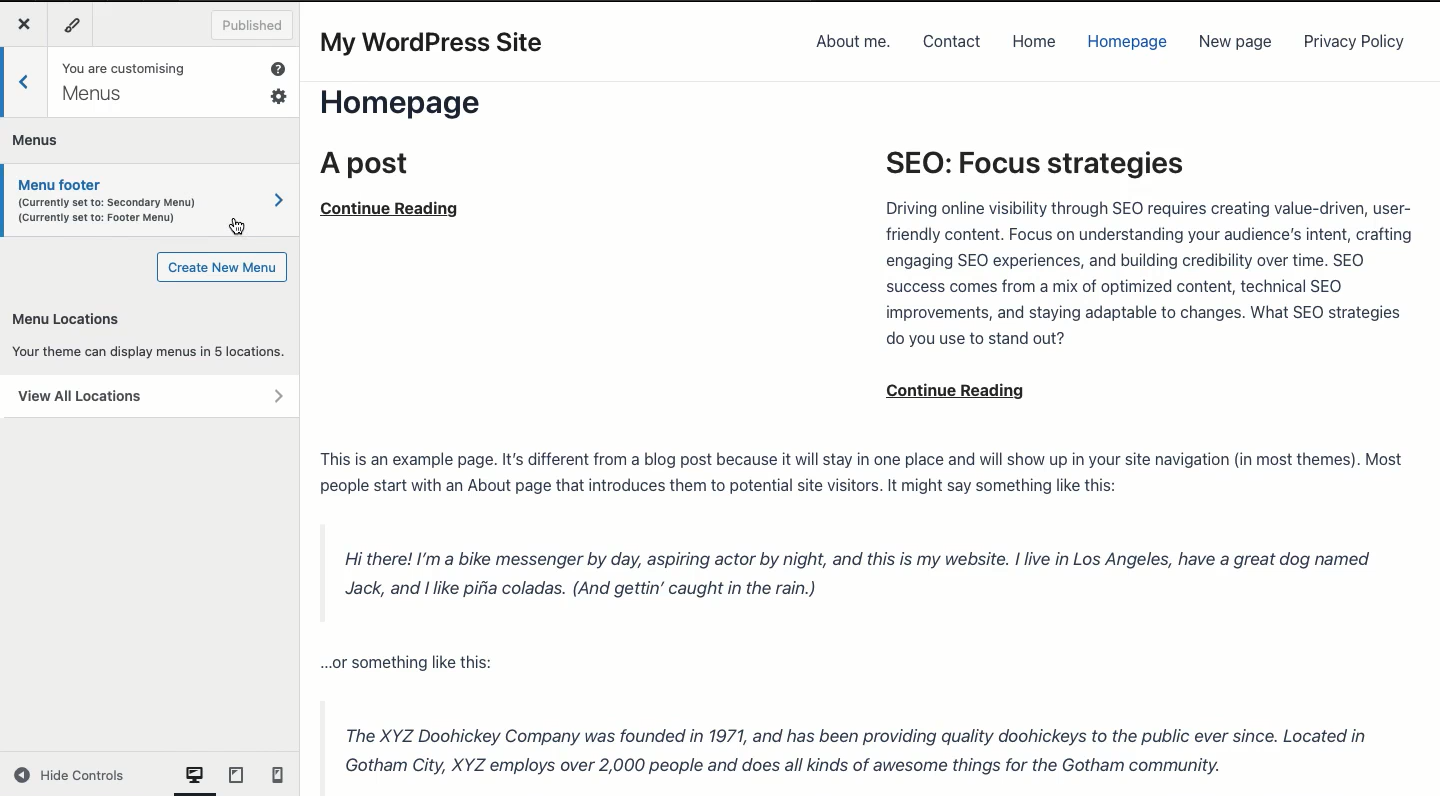  I want to click on Settings, so click(277, 95).